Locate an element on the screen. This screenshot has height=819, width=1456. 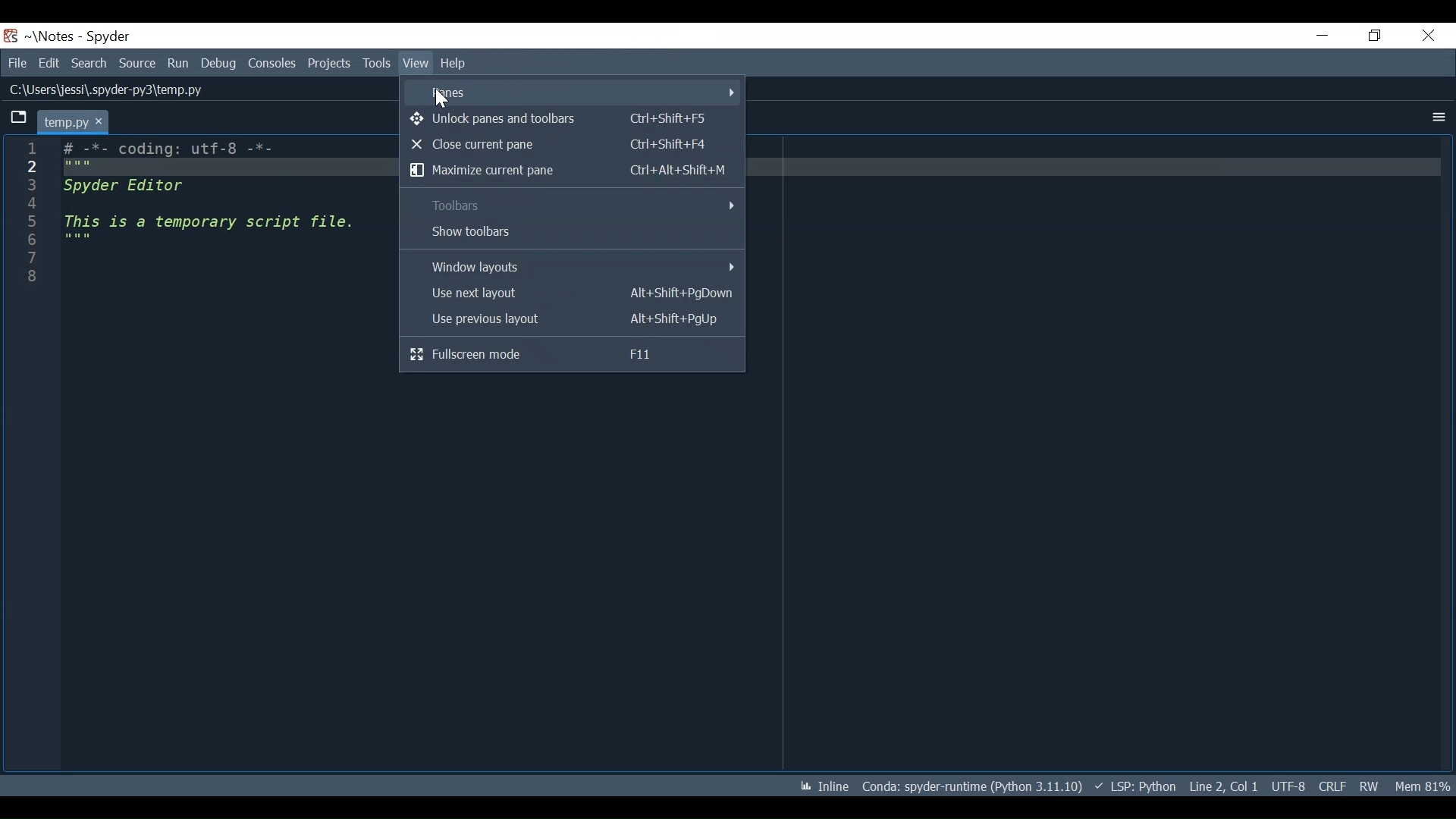
RW is located at coordinates (1370, 786).